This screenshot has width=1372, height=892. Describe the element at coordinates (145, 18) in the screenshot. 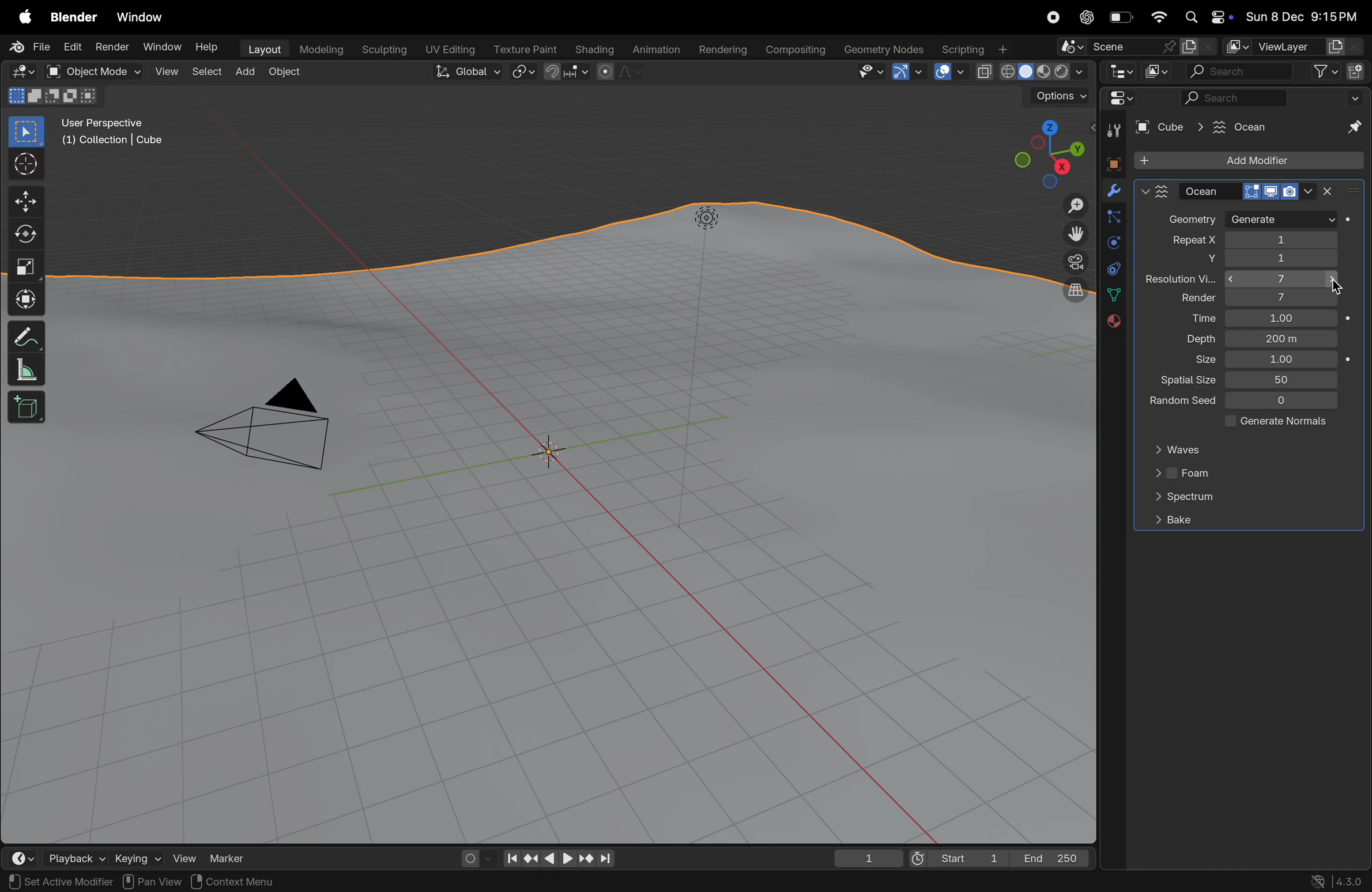

I see `window` at that location.